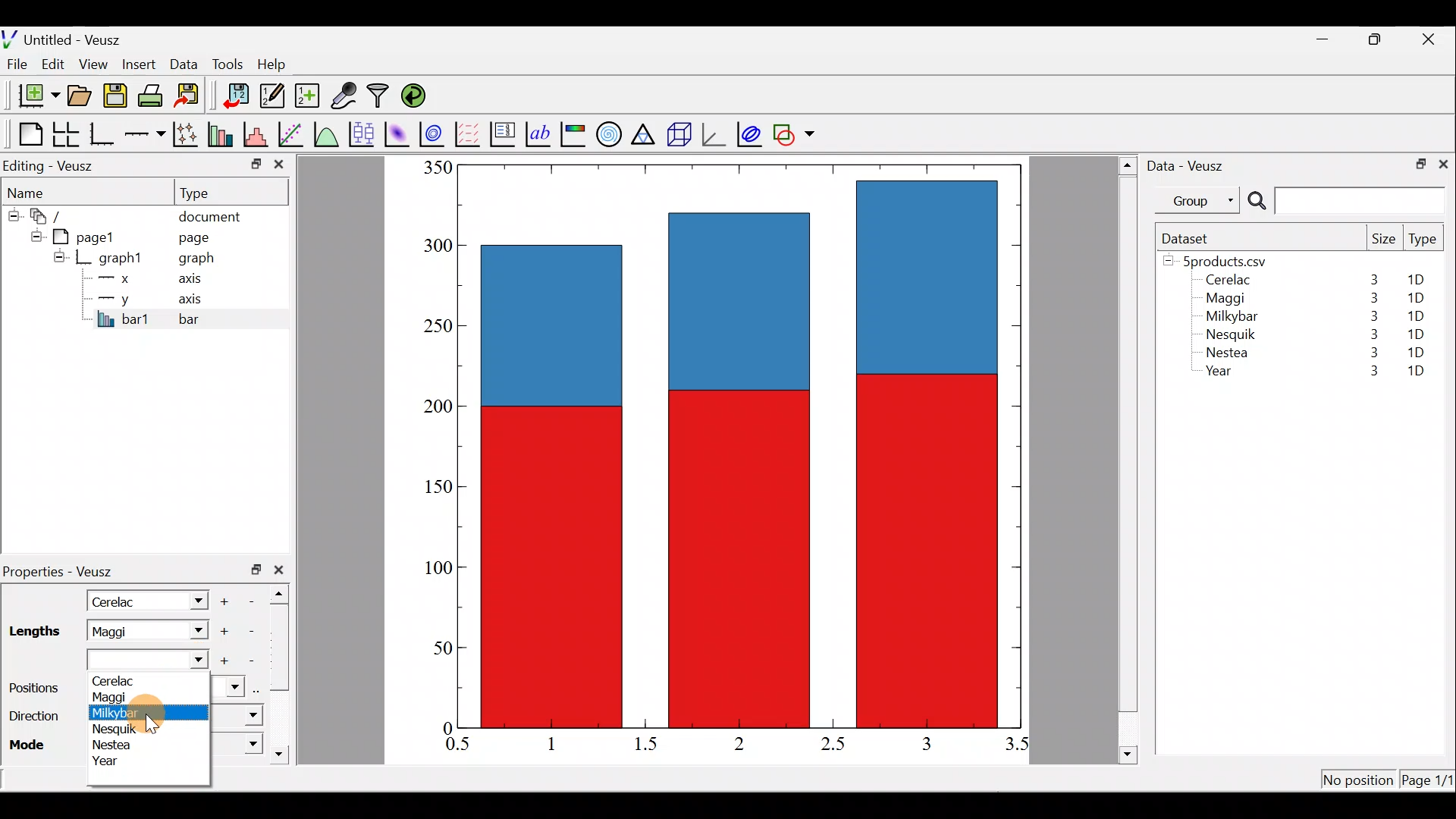 This screenshot has width=1456, height=819. I want to click on 1D, so click(1416, 372).